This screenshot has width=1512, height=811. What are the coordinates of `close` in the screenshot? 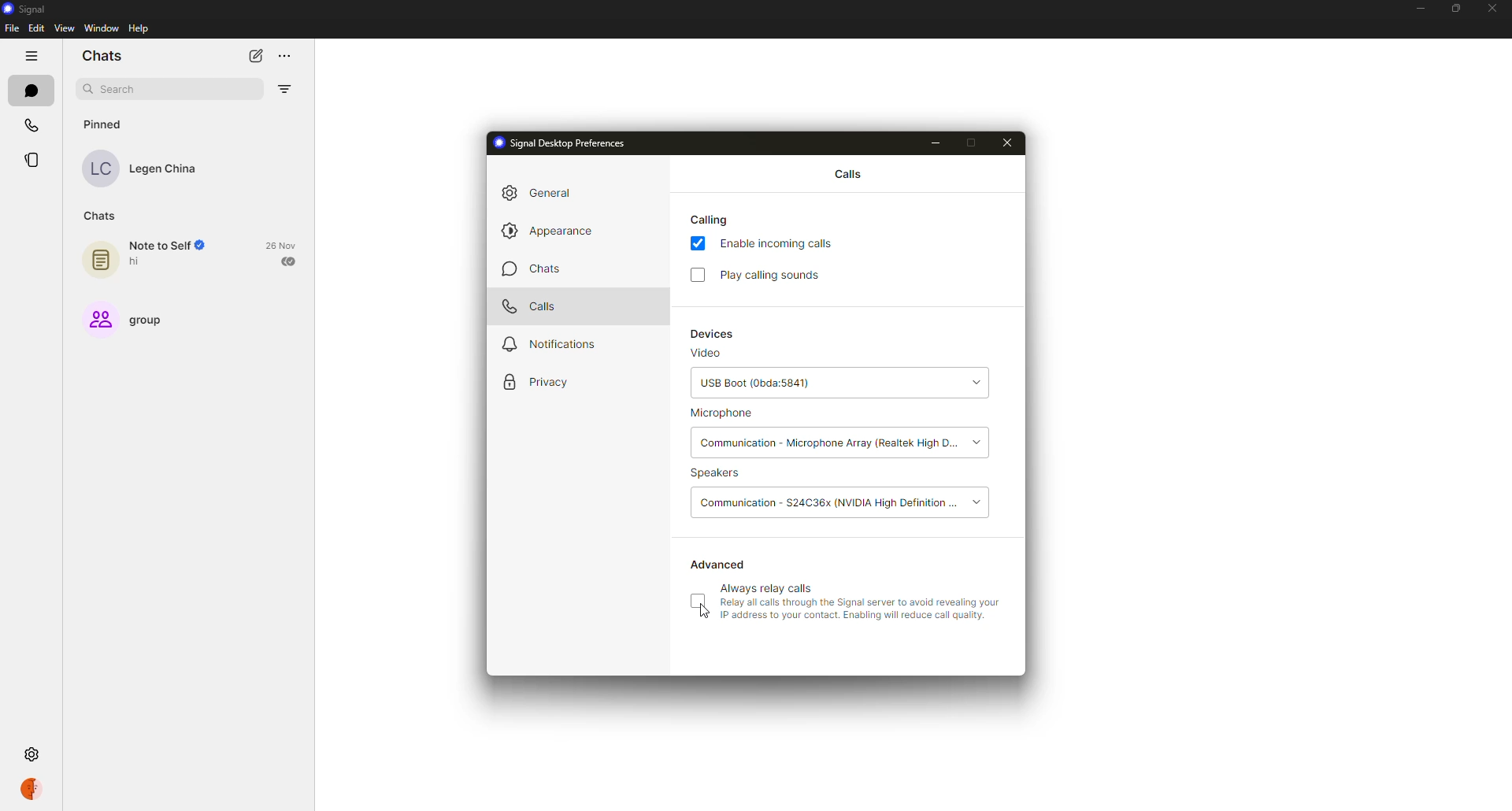 It's located at (1492, 7).